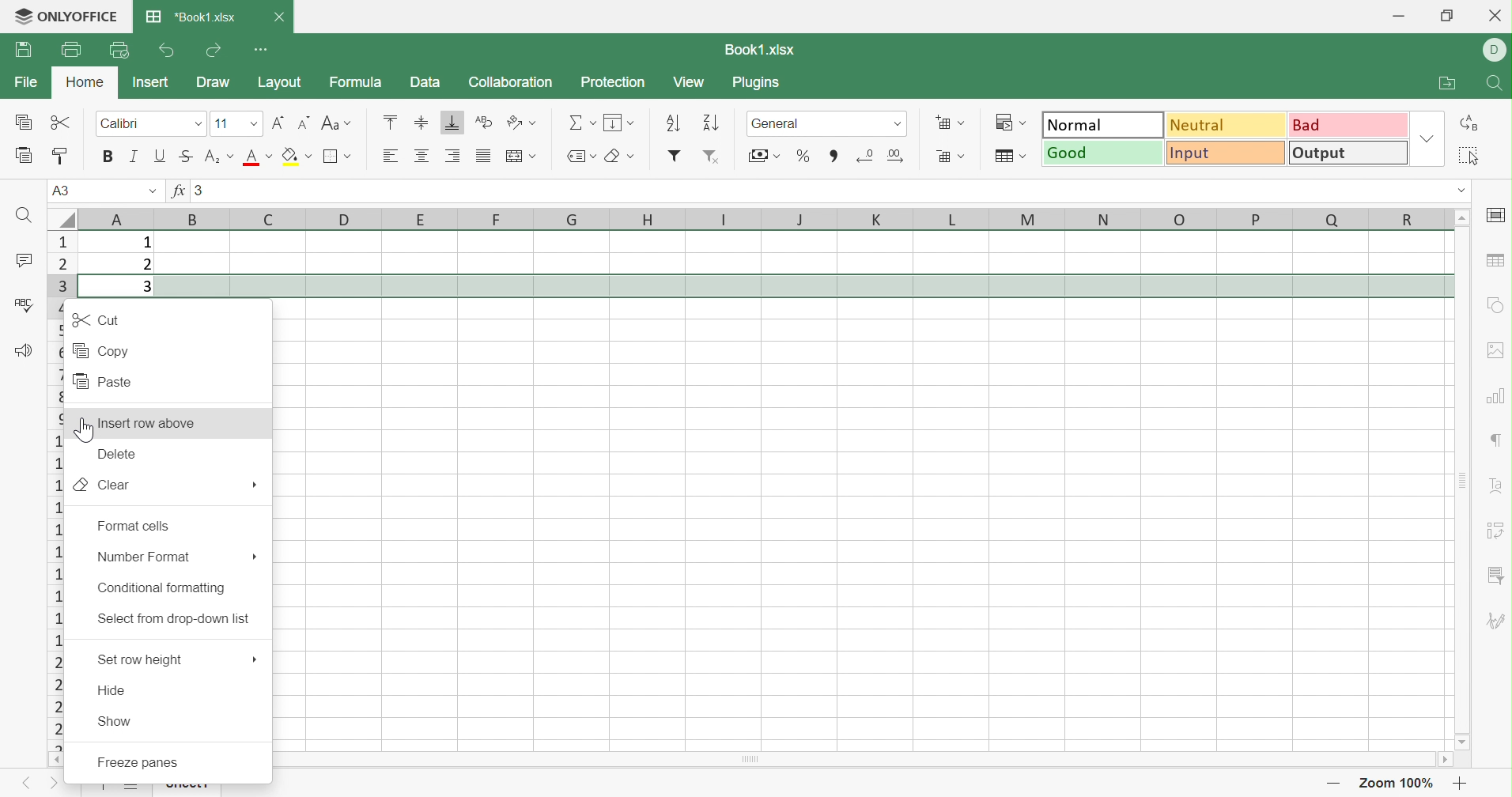 This screenshot has height=797, width=1512. I want to click on Drop Down, so click(1428, 138).